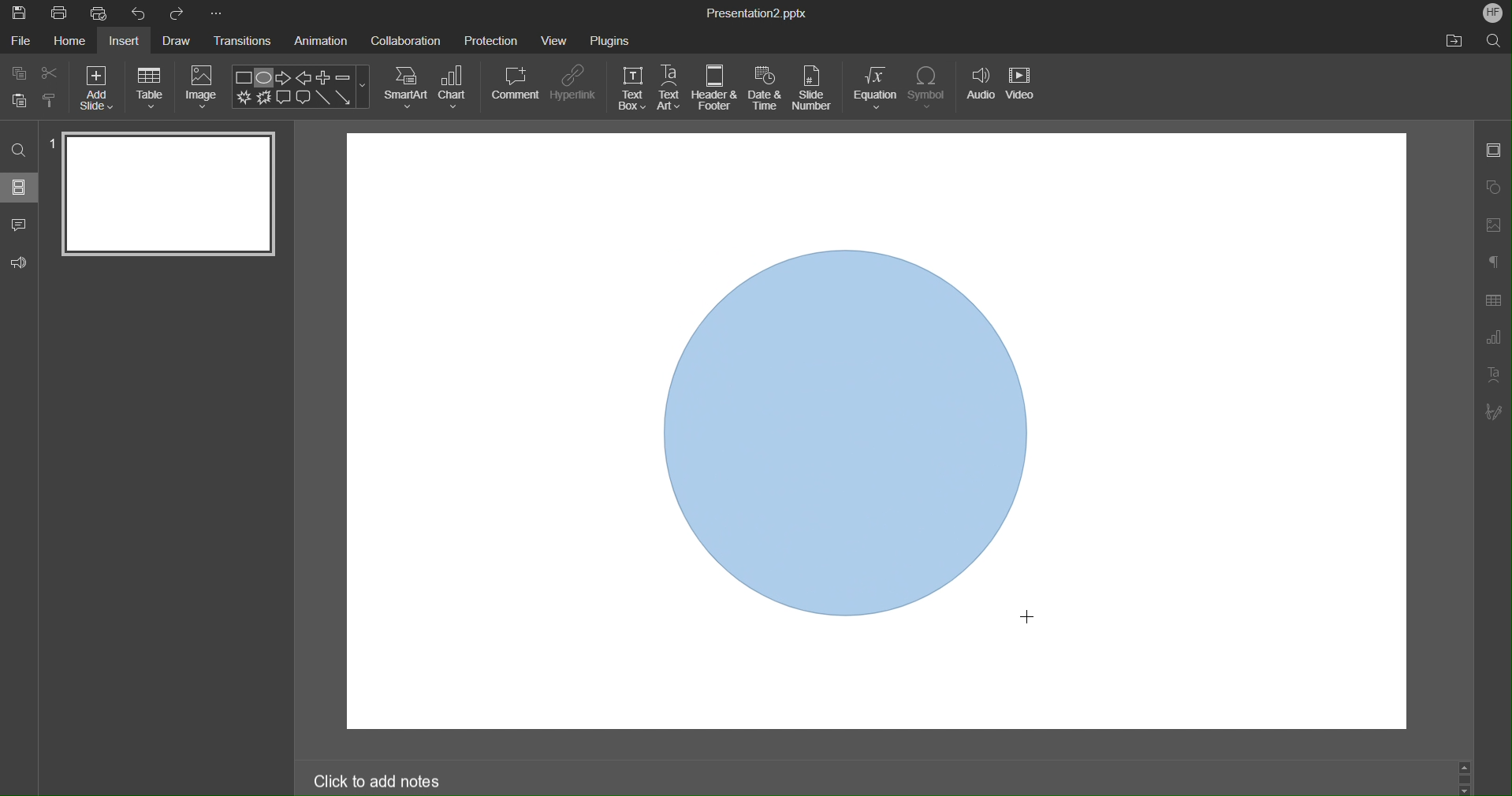 The image size is (1512, 796). What do you see at coordinates (491, 39) in the screenshot?
I see `Protection` at bounding box center [491, 39].